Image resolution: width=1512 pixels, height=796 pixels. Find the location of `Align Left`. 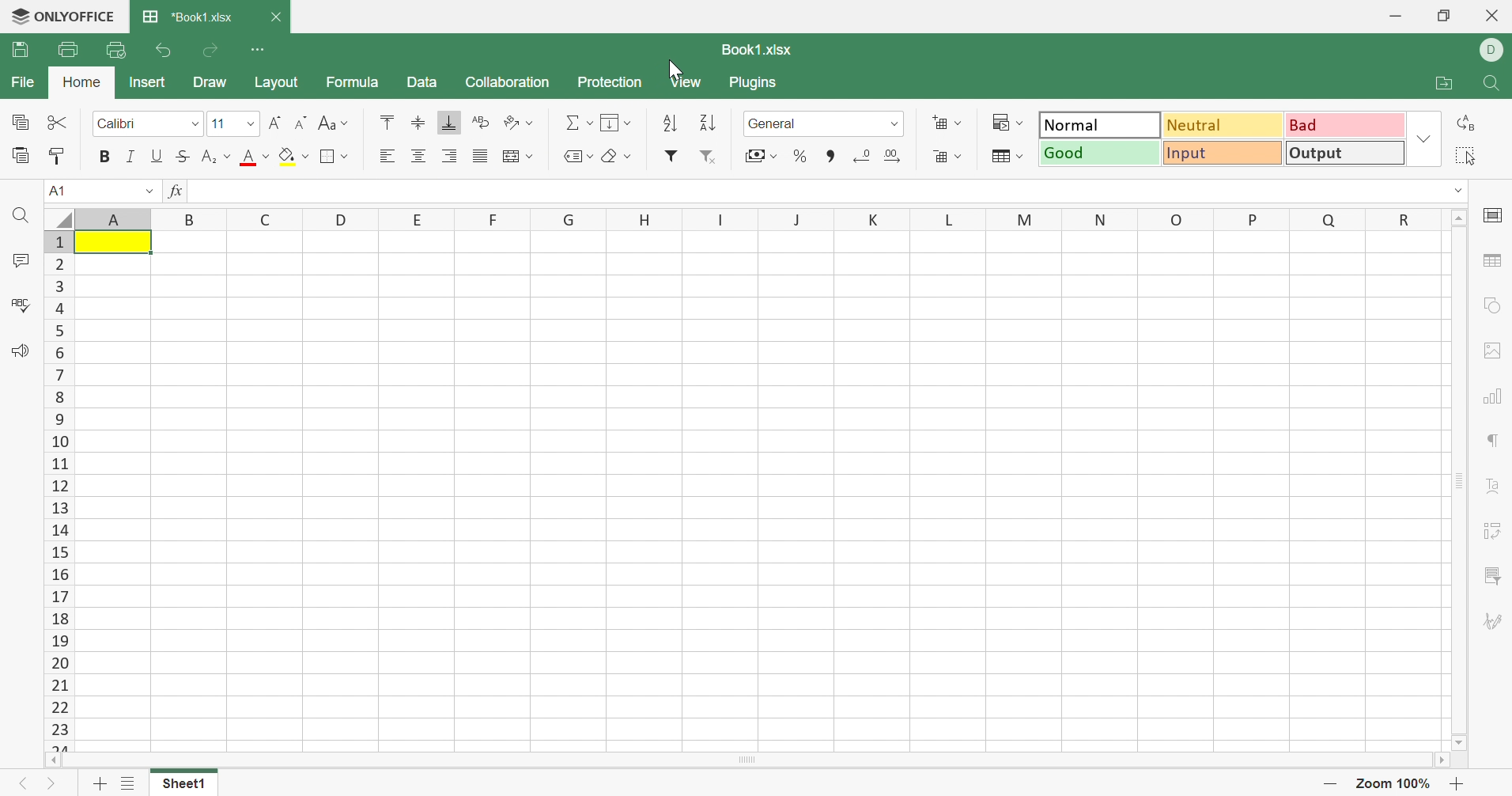

Align Left is located at coordinates (387, 153).